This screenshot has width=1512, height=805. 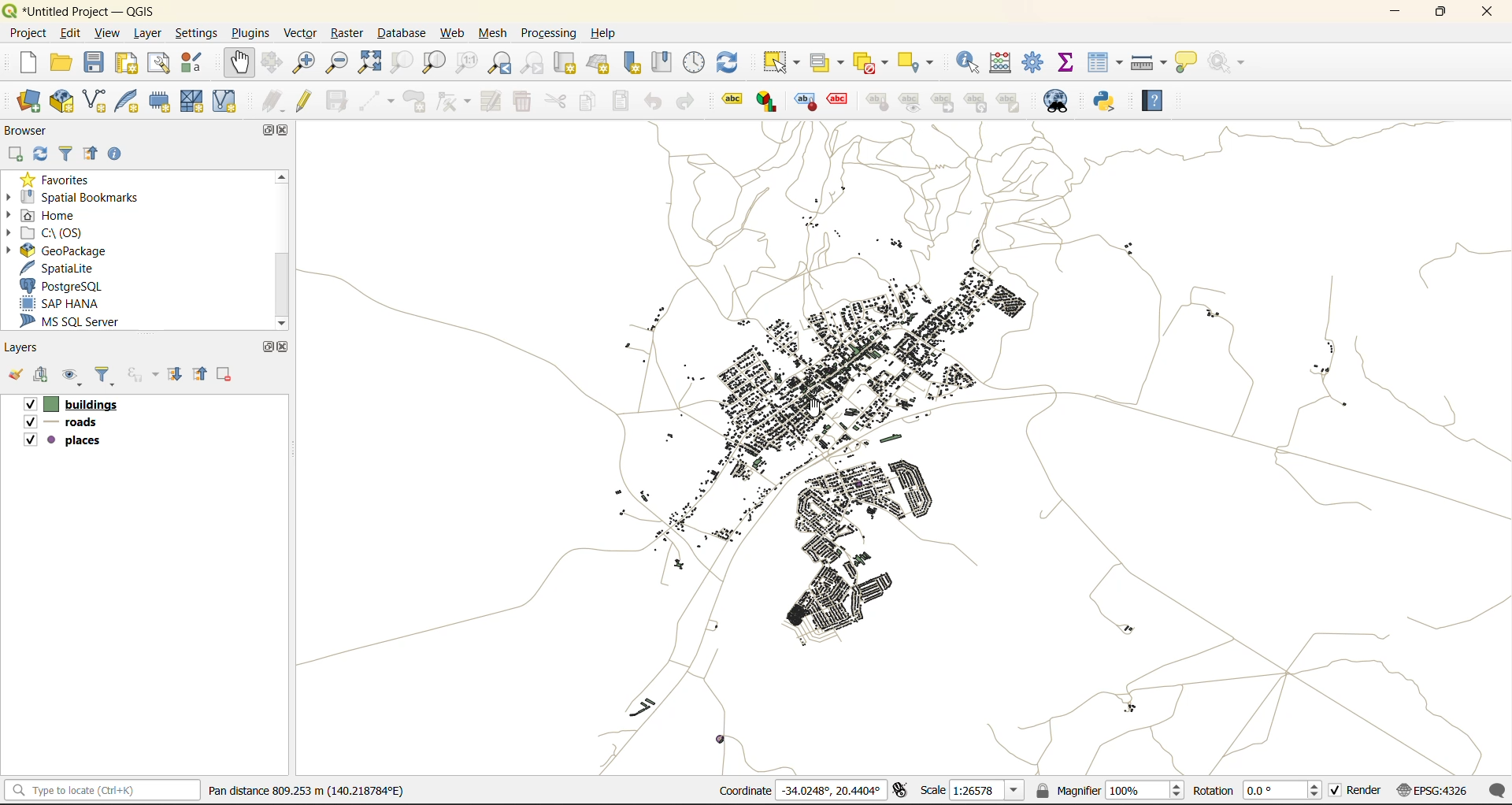 I want to click on Note label, so click(x=1012, y=101).